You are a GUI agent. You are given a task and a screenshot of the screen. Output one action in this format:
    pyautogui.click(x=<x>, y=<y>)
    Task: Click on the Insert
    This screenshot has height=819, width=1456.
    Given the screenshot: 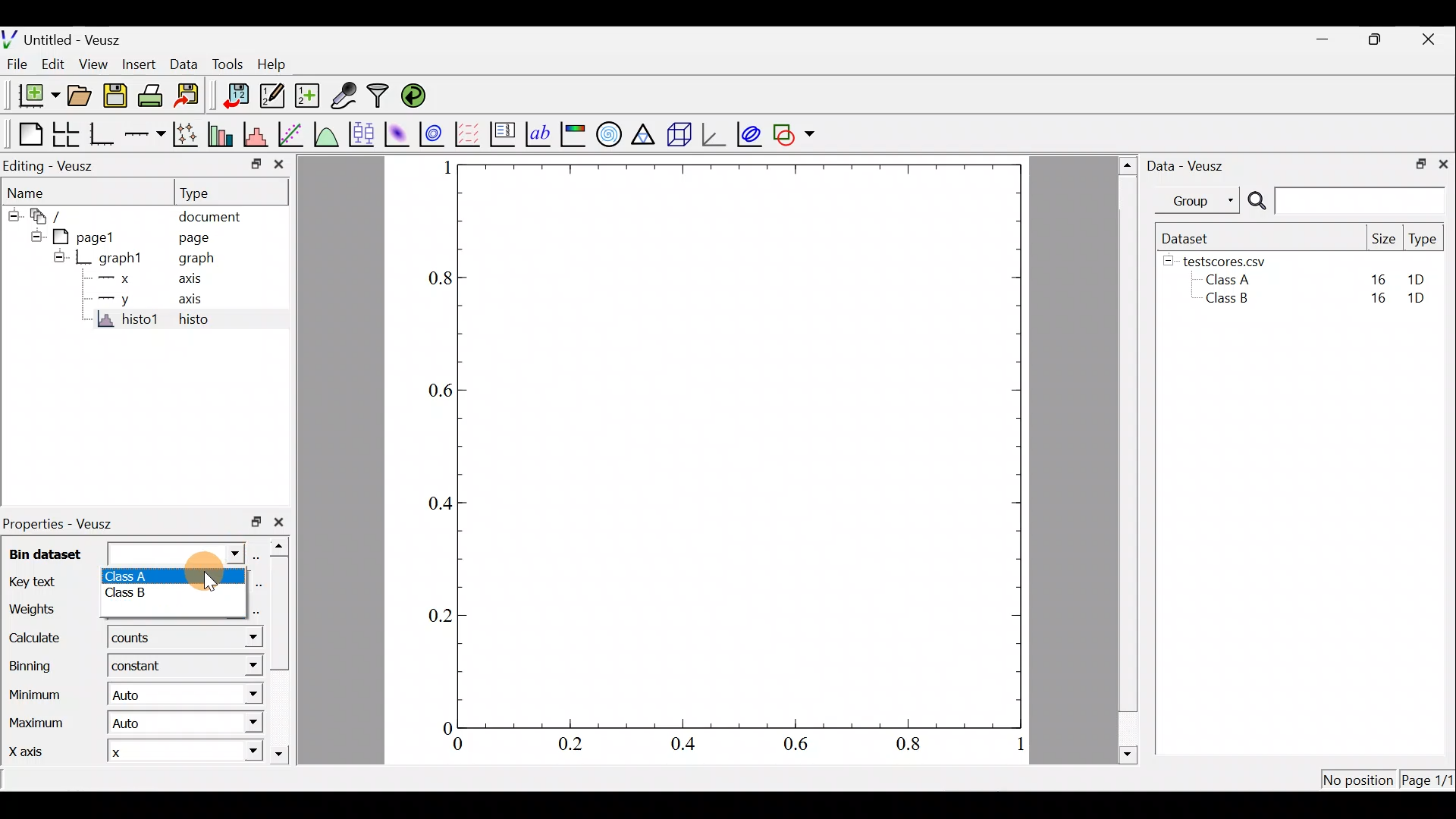 What is the action you would take?
    pyautogui.click(x=135, y=62)
    